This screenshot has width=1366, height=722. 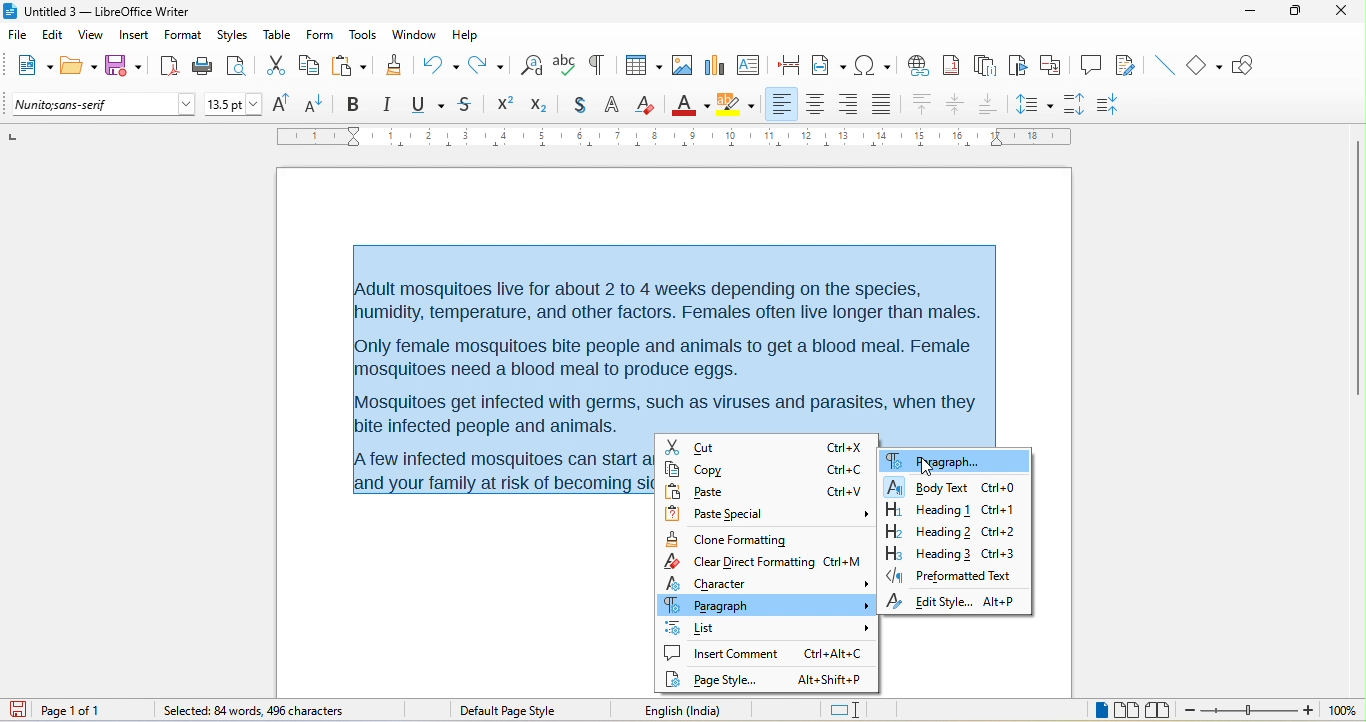 I want to click on redo, so click(x=491, y=64).